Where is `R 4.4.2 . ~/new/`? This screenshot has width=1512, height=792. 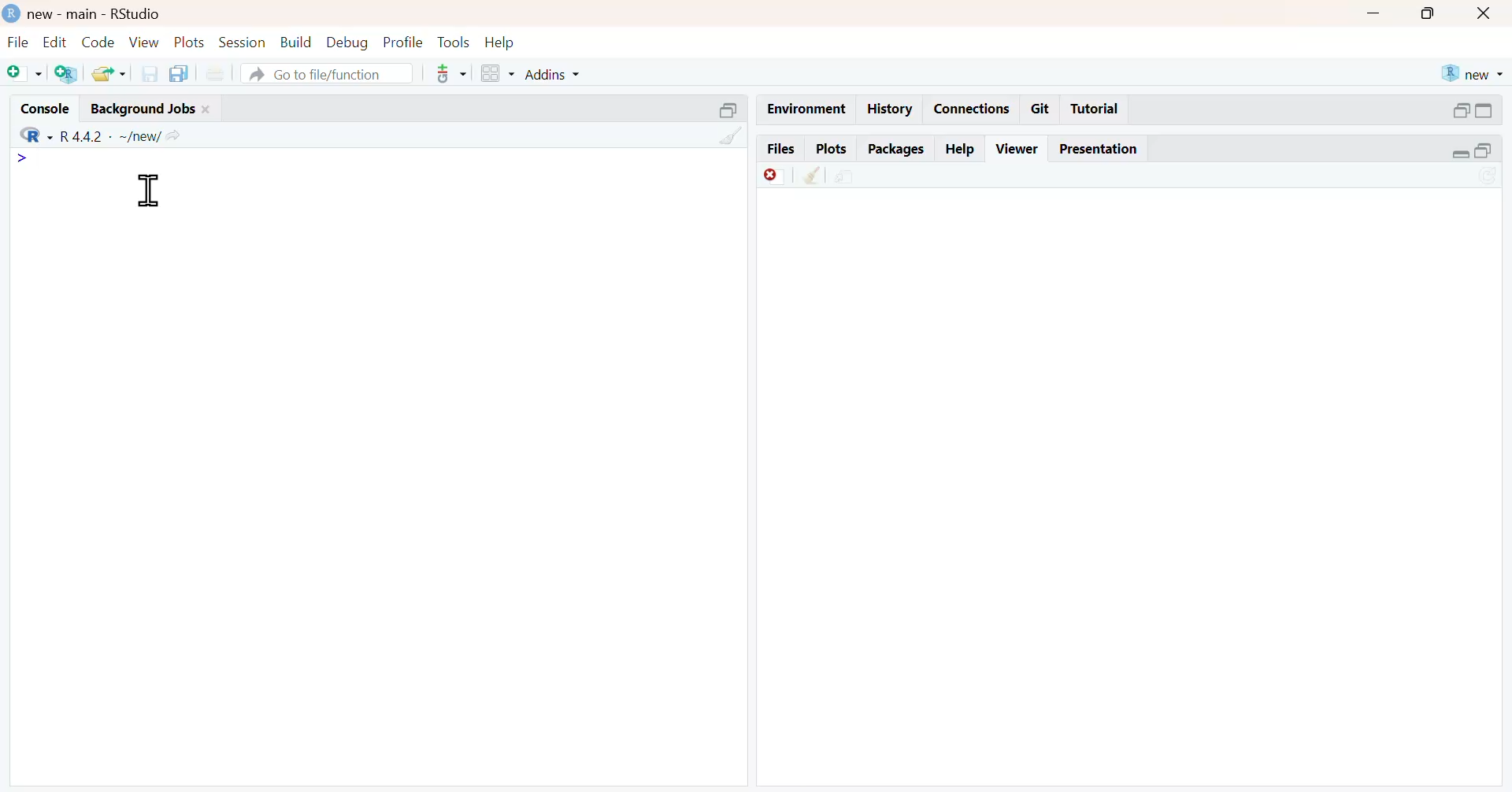 R 4.4.2 . ~/new/ is located at coordinates (111, 134).